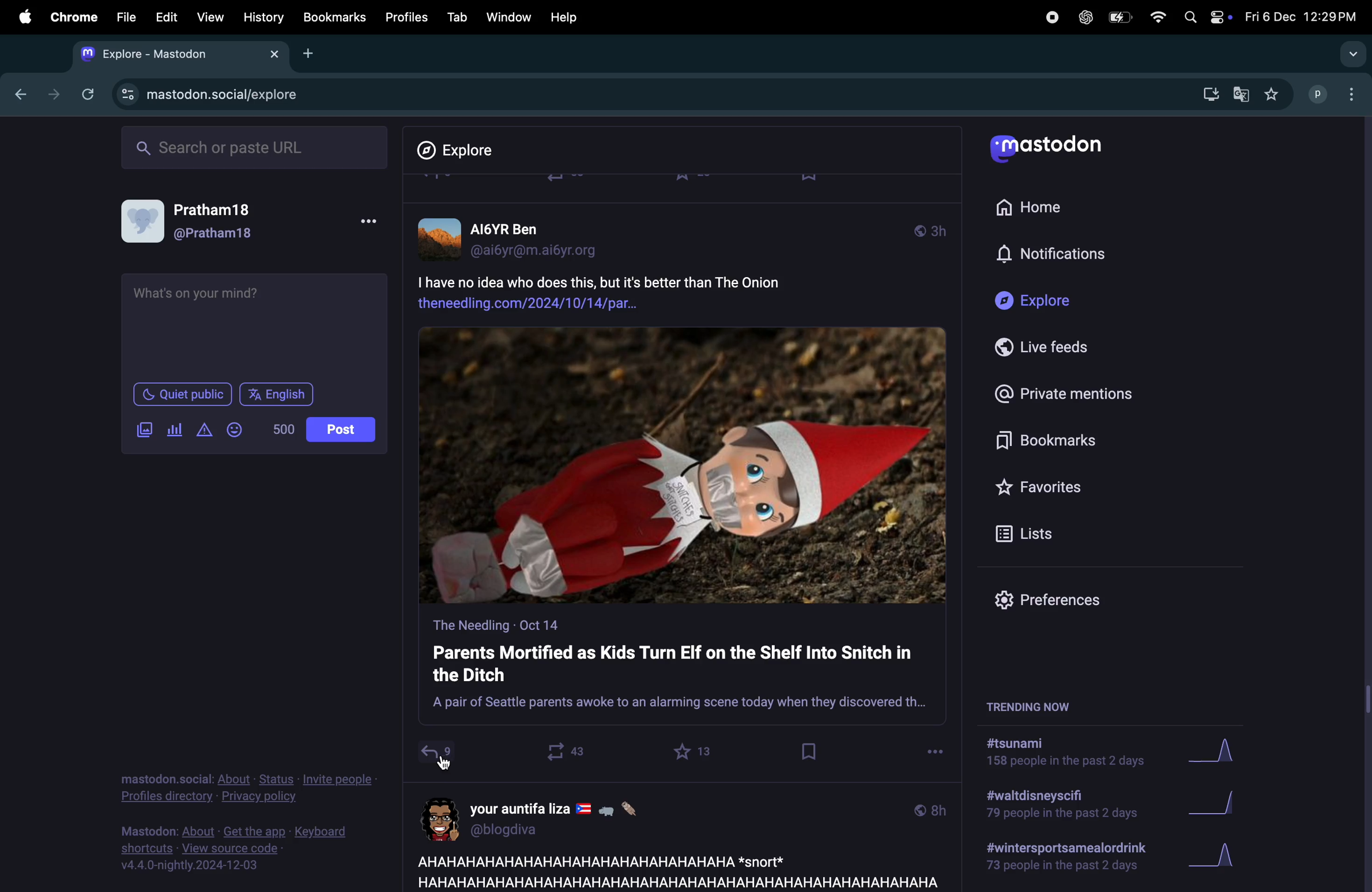 This screenshot has width=1372, height=892. Describe the element at coordinates (1051, 347) in the screenshot. I see `Live feeds` at that location.